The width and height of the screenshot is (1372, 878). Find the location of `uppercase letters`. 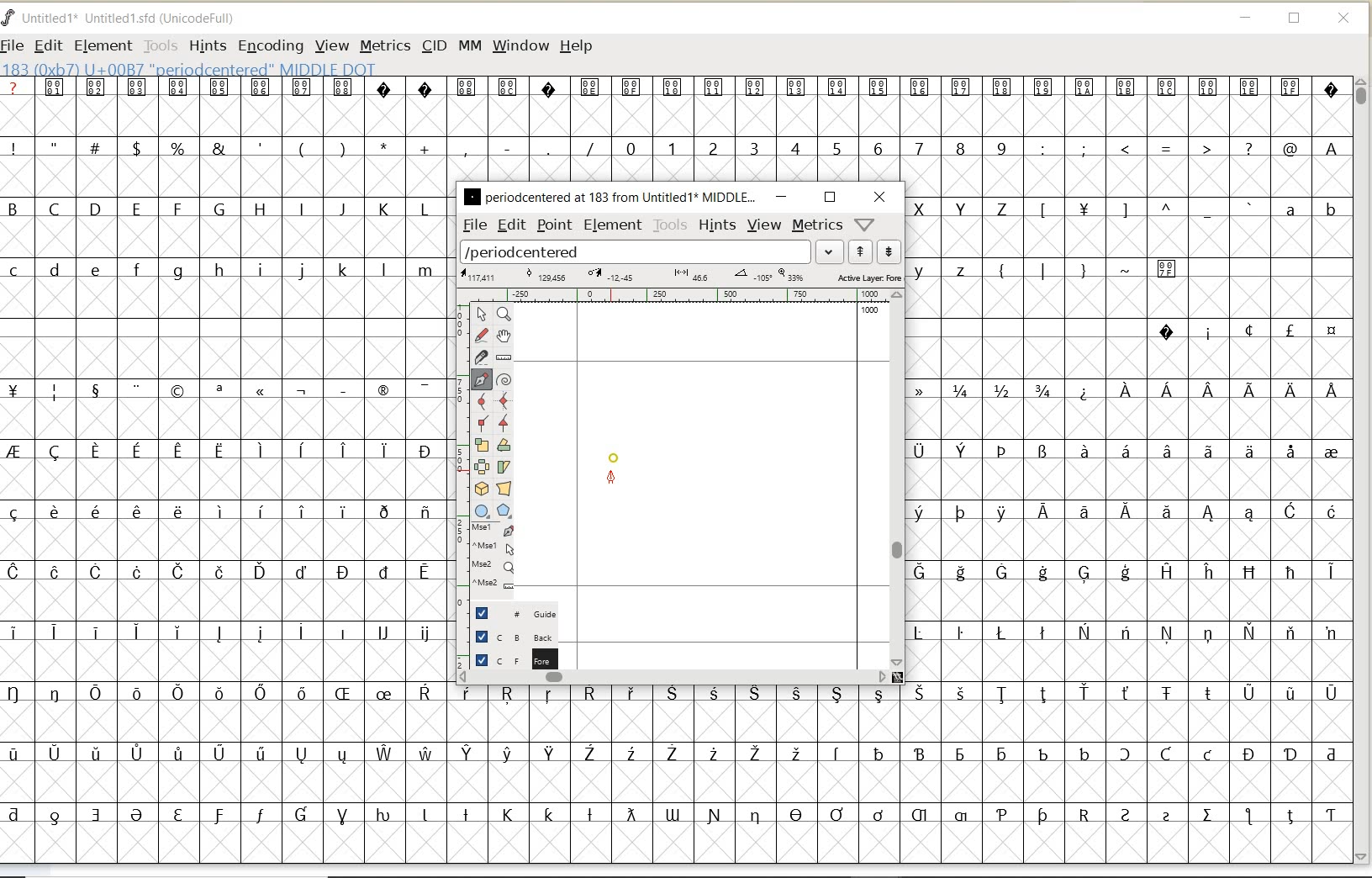

uppercase letters is located at coordinates (964, 208).